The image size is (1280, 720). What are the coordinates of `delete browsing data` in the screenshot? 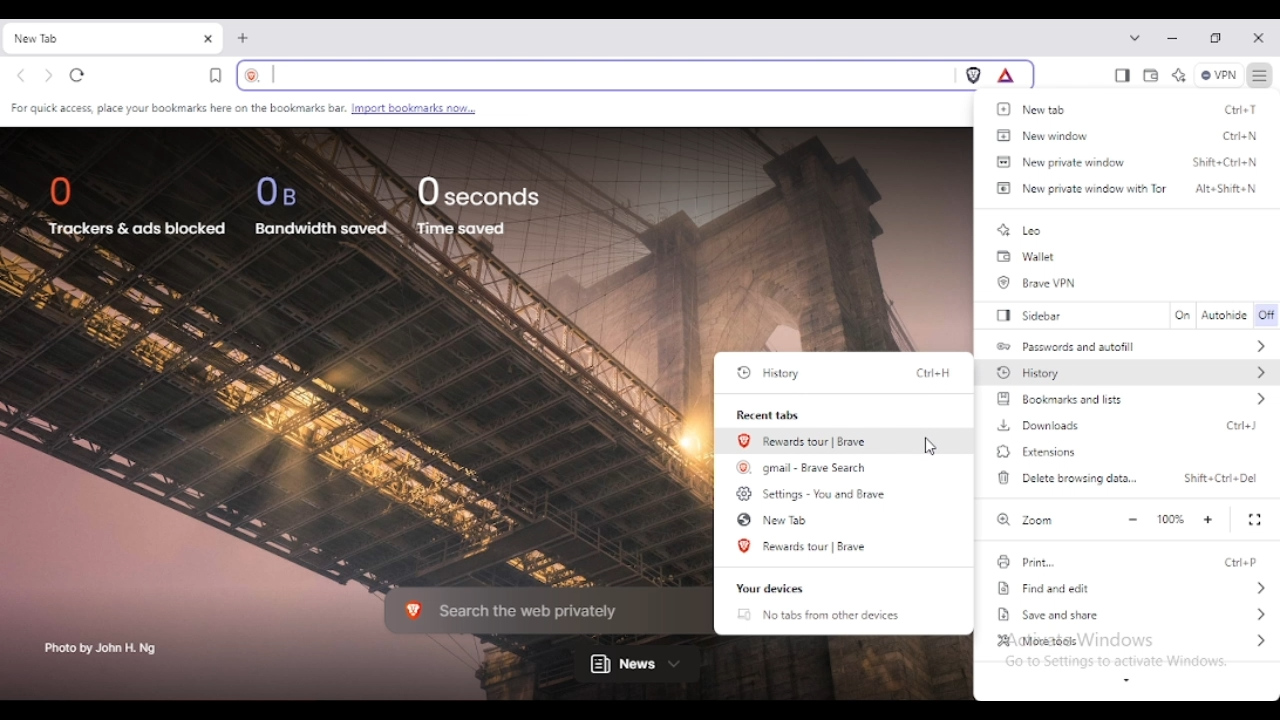 It's located at (1066, 477).